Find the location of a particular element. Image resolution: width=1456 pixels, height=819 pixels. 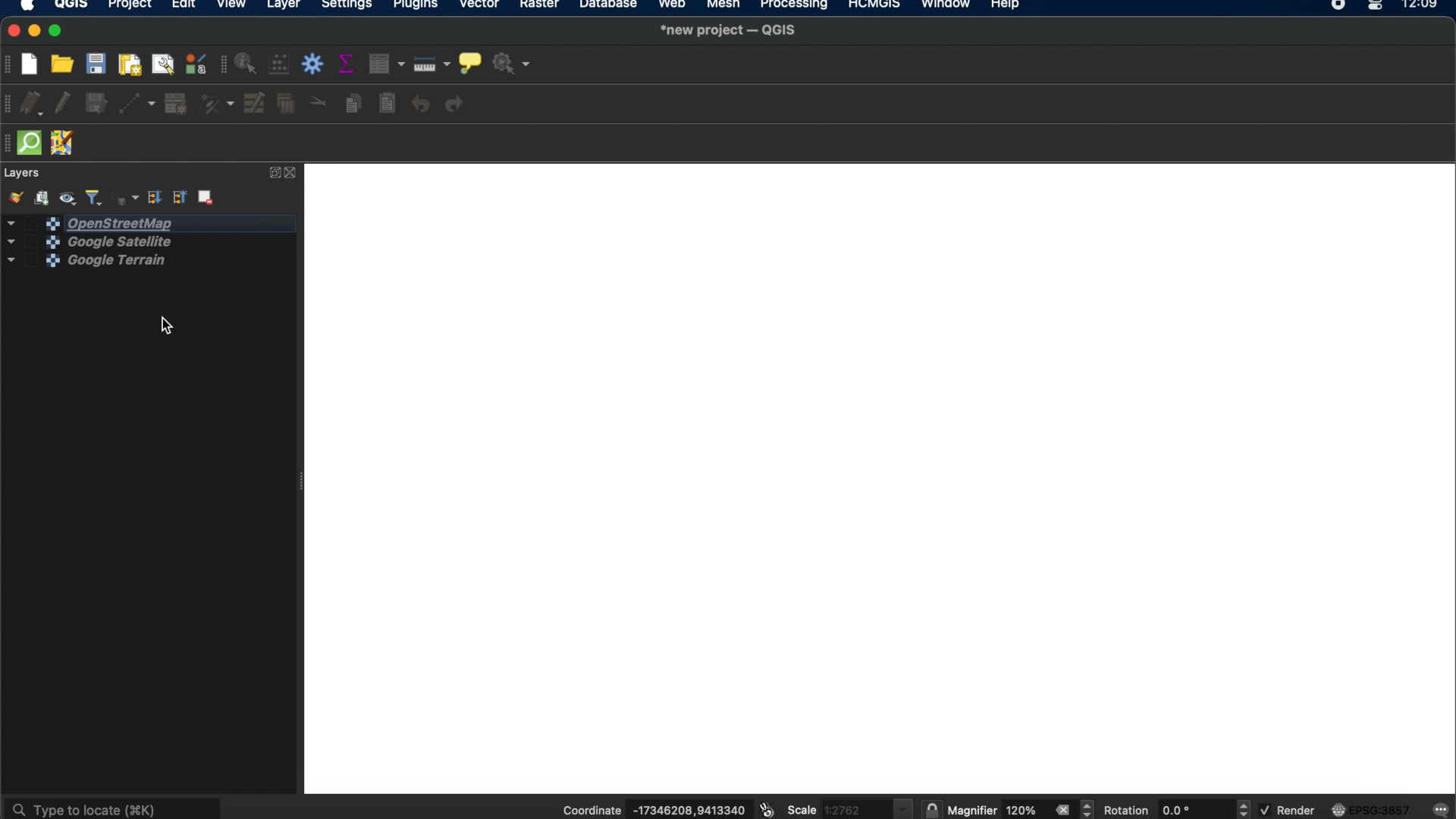

remove layer group is located at coordinates (208, 199).